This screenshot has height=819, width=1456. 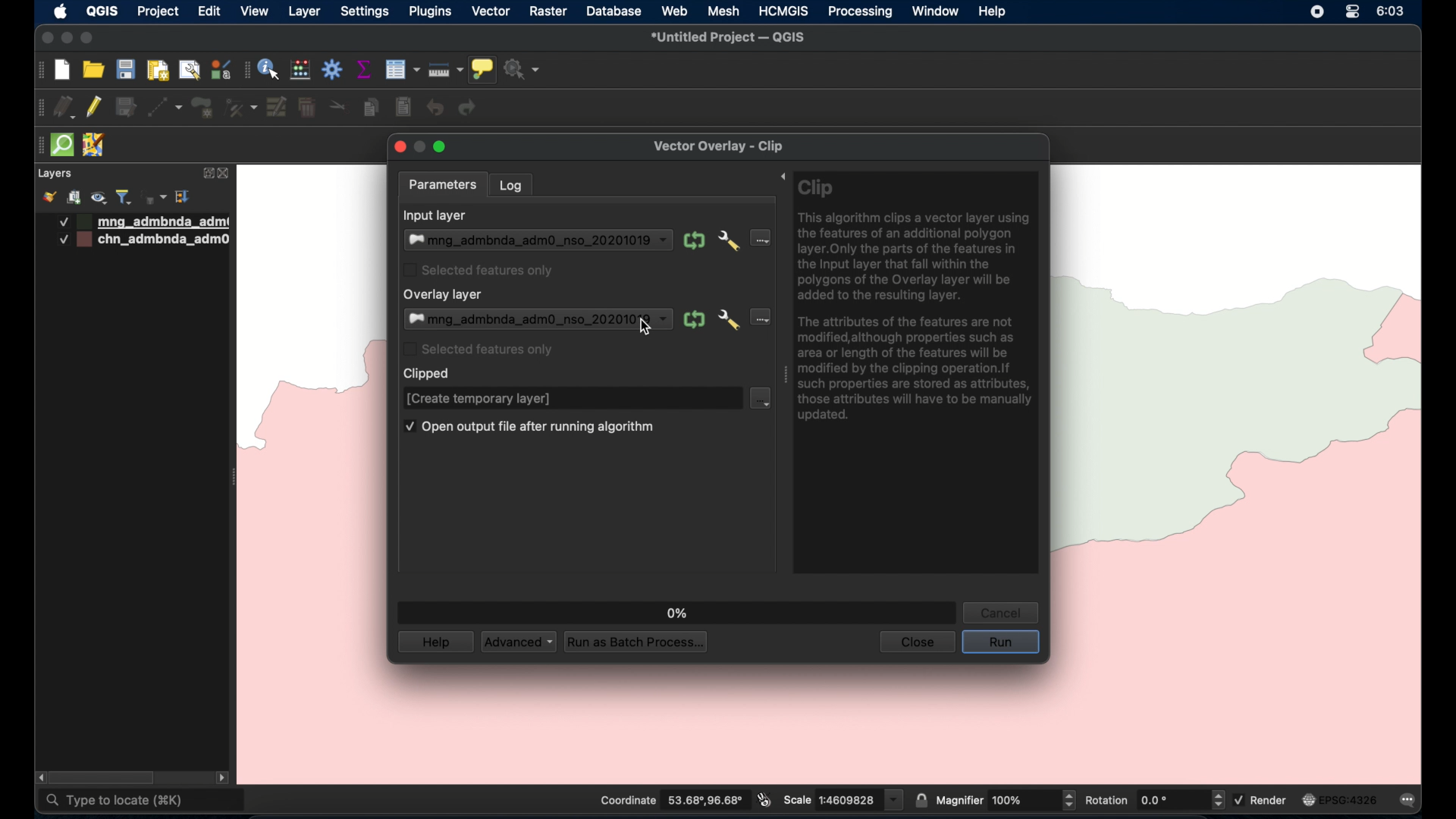 I want to click on maximize, so click(x=86, y=39).